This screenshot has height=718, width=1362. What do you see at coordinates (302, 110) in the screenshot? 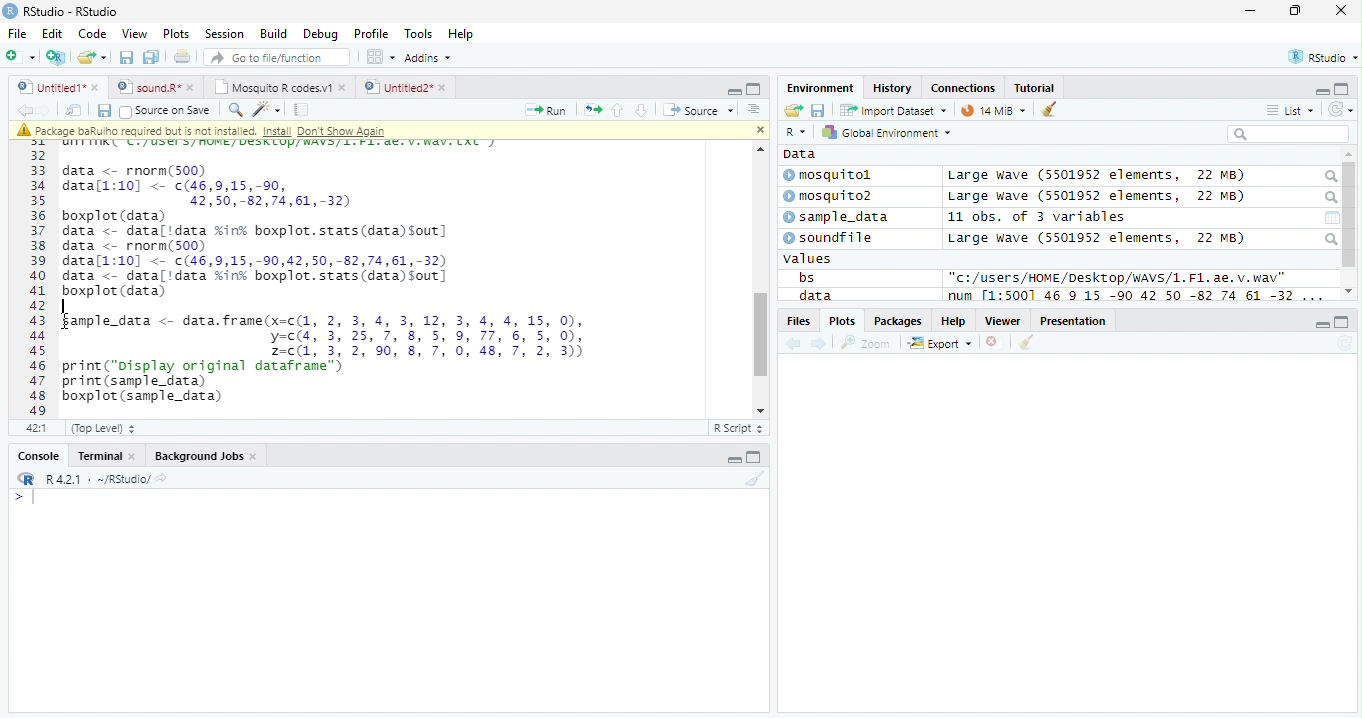
I see `Compile report` at bounding box center [302, 110].